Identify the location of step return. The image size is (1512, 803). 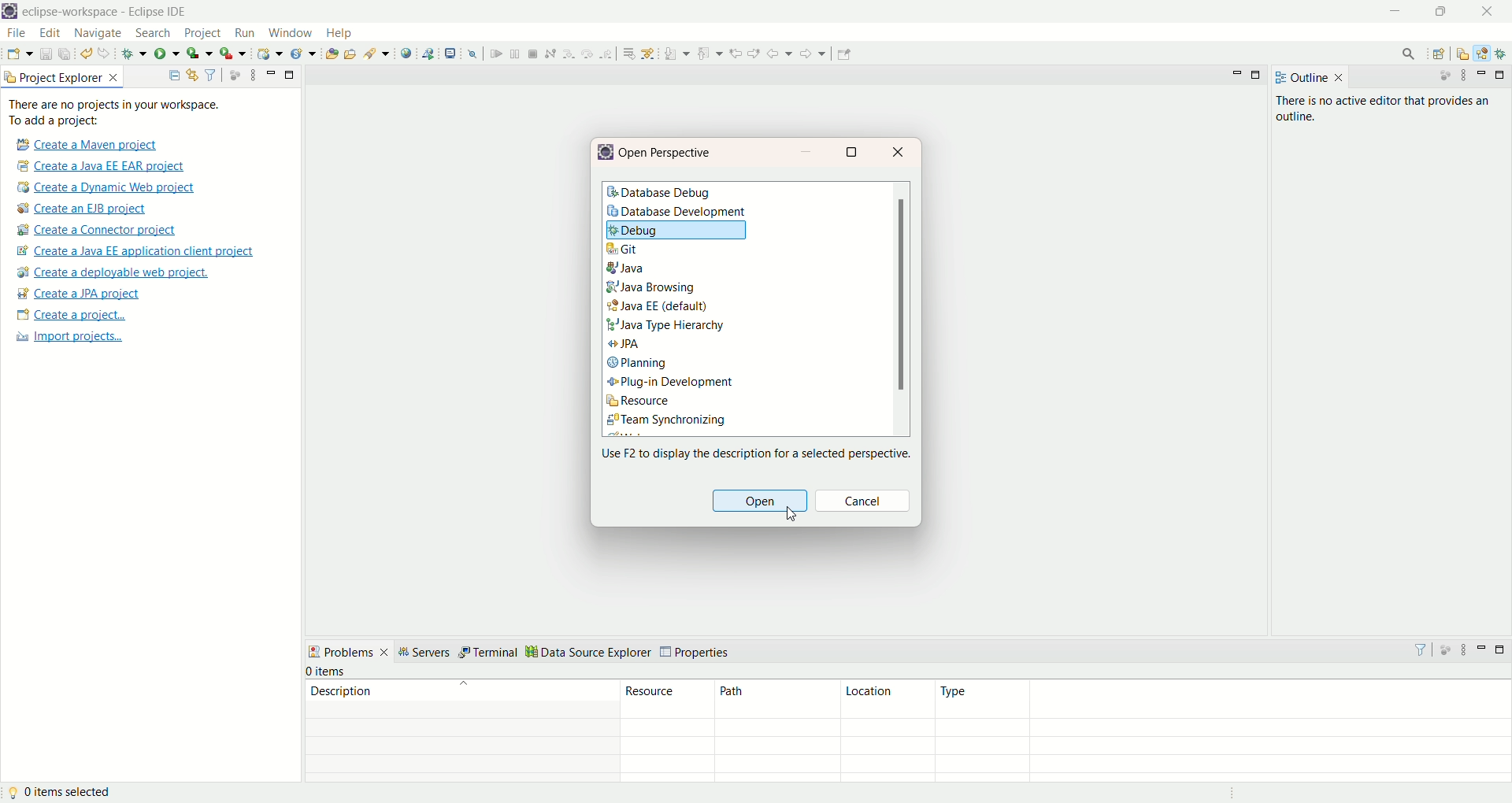
(607, 54).